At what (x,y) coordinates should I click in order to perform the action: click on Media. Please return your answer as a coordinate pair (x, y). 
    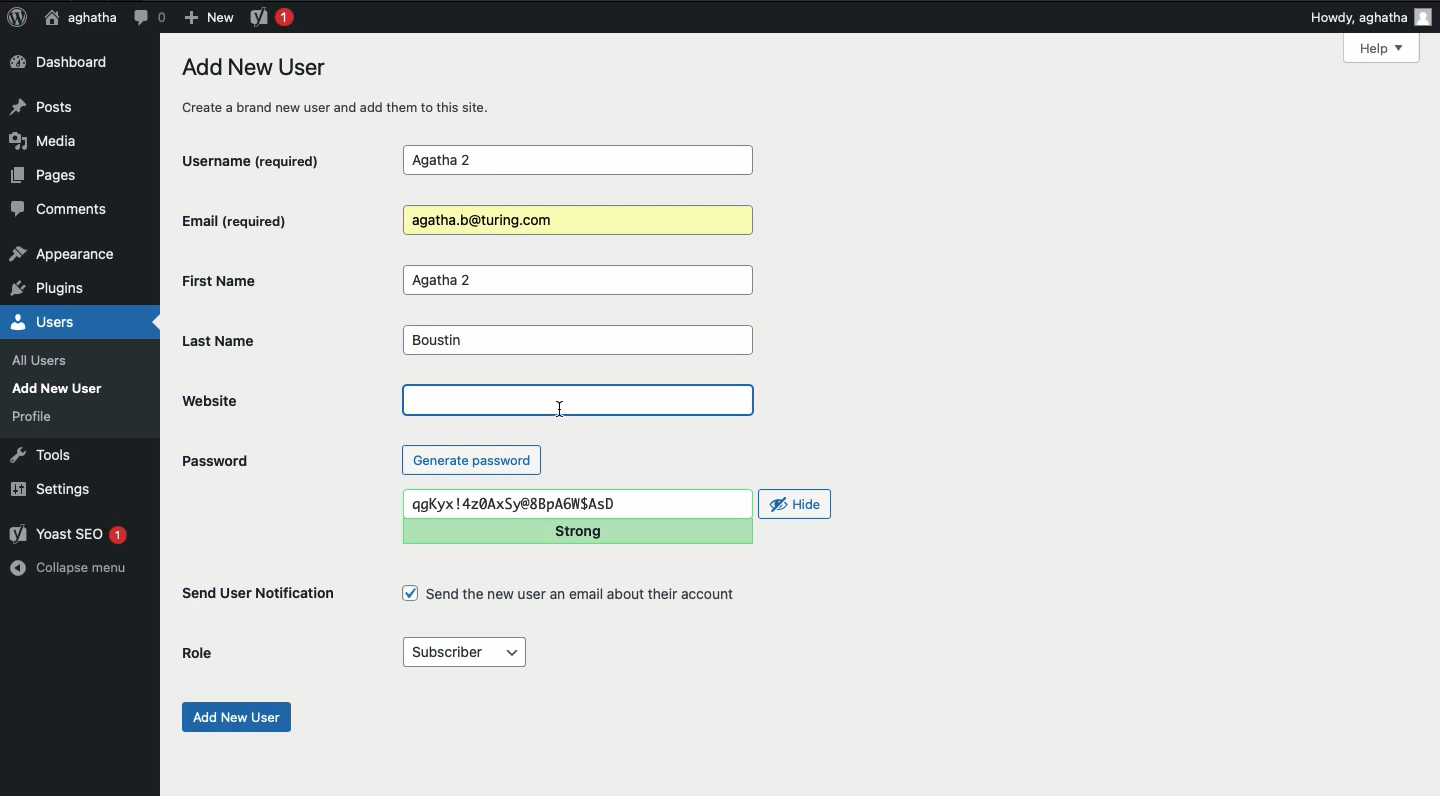
    Looking at the image, I should click on (52, 141).